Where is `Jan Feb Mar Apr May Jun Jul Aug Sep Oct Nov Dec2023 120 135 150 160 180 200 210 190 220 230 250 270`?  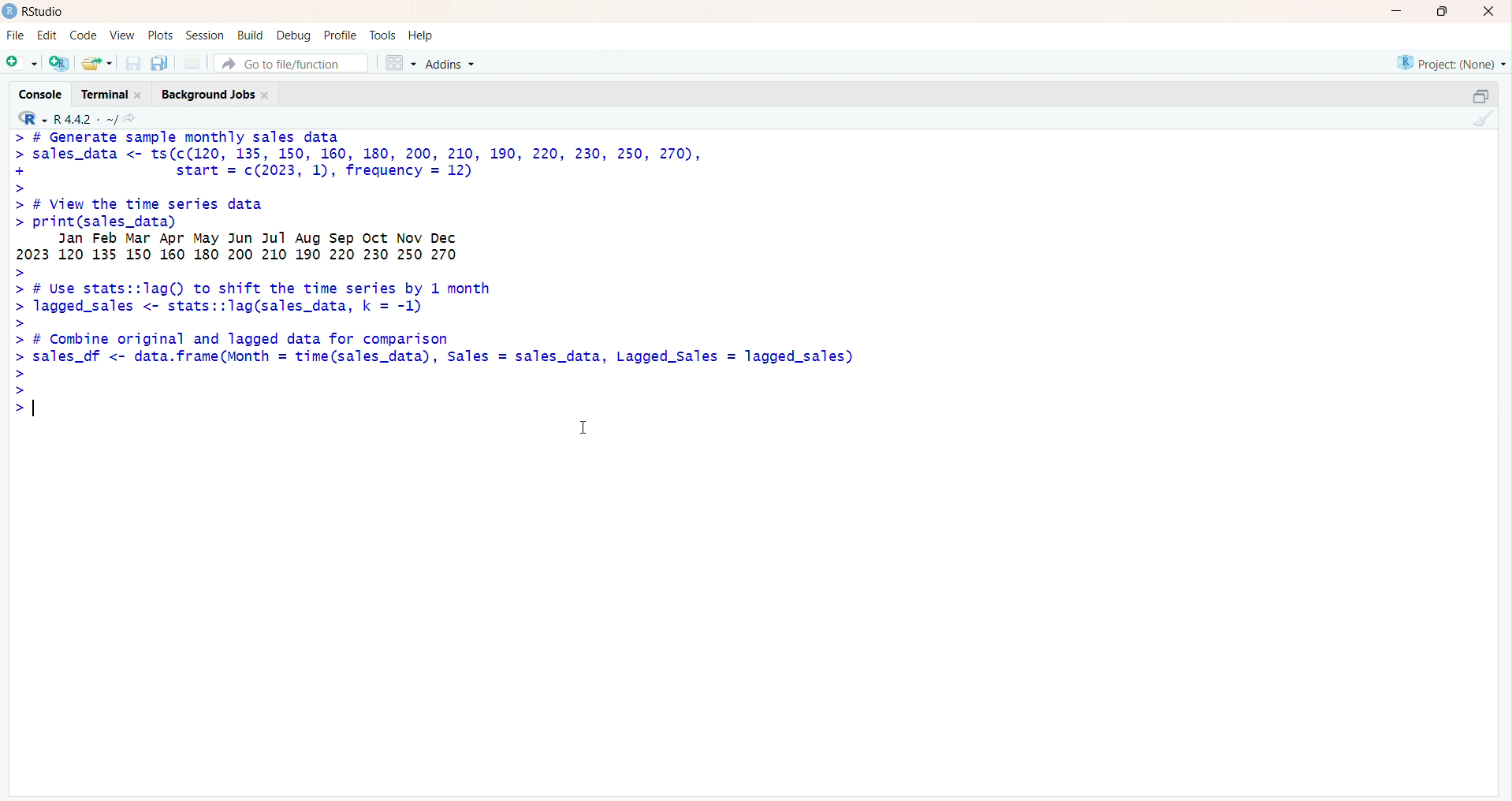
Jan Feb Mar Apr May Jun Jul Aug Sep Oct Nov Dec2023 120 135 150 160 180 200 210 190 220 230 250 270 is located at coordinates (296, 248).